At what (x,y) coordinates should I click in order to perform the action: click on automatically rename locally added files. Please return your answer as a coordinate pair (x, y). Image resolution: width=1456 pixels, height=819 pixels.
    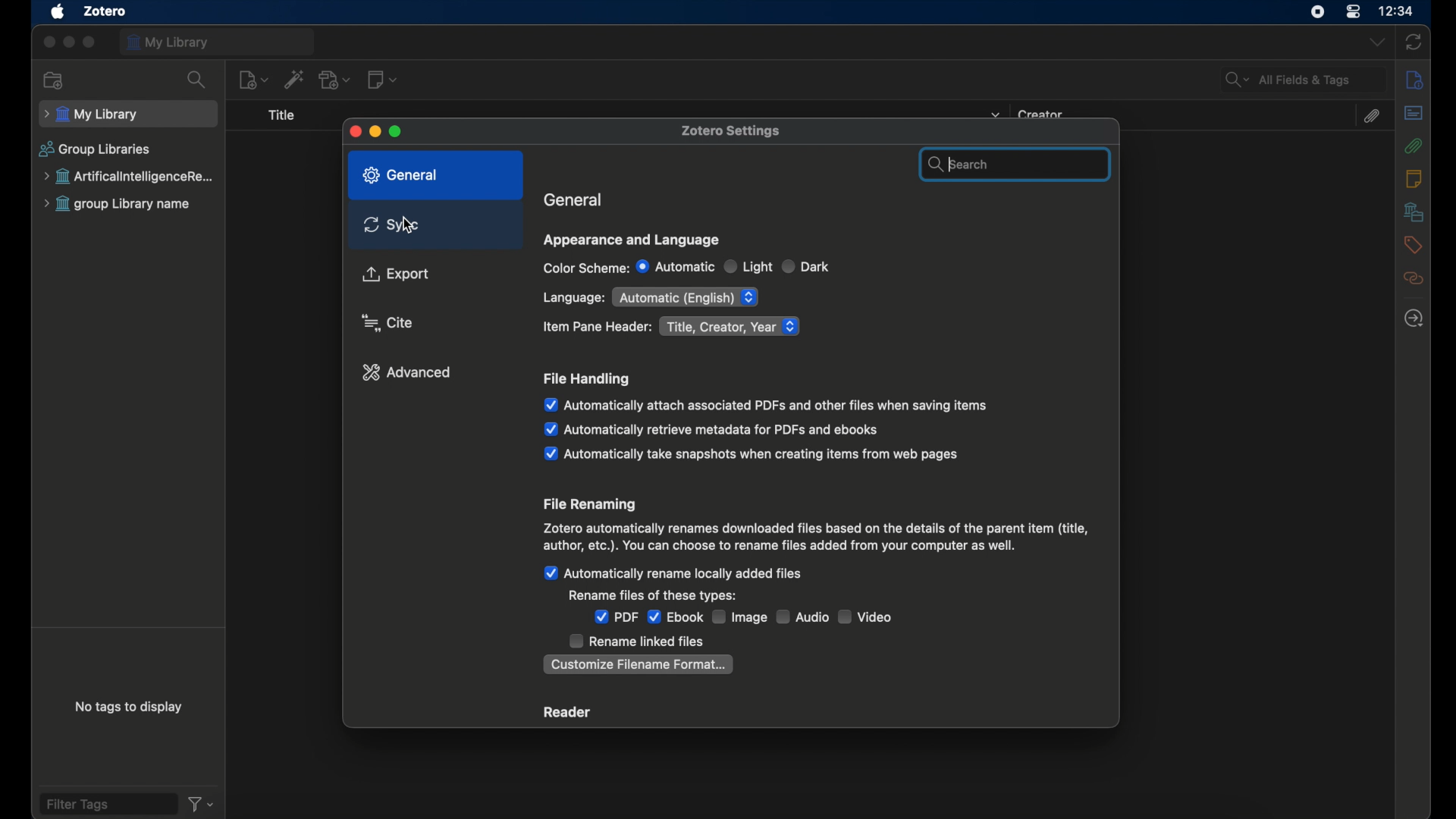
    Looking at the image, I should click on (673, 573).